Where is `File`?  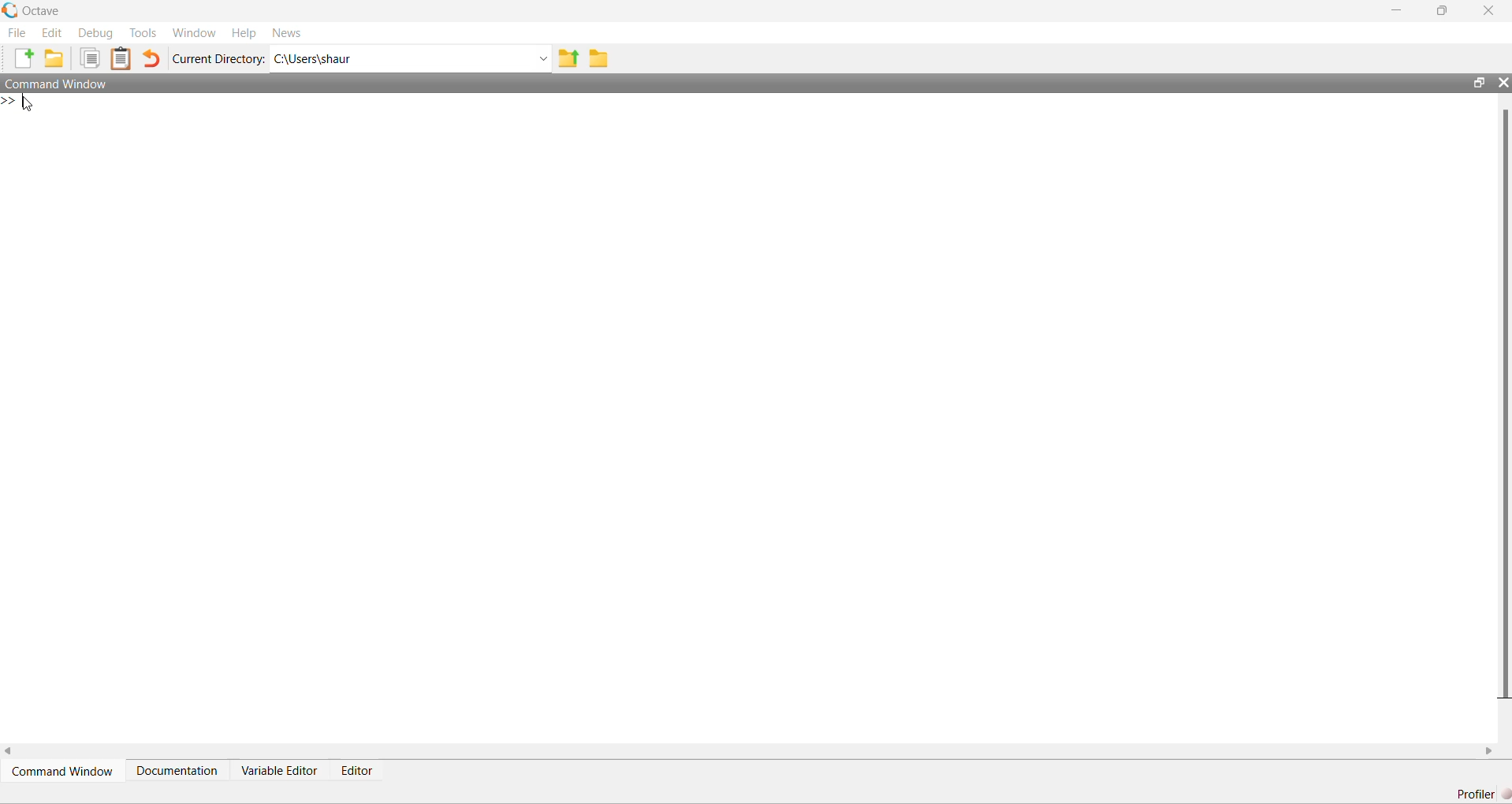
File is located at coordinates (17, 32).